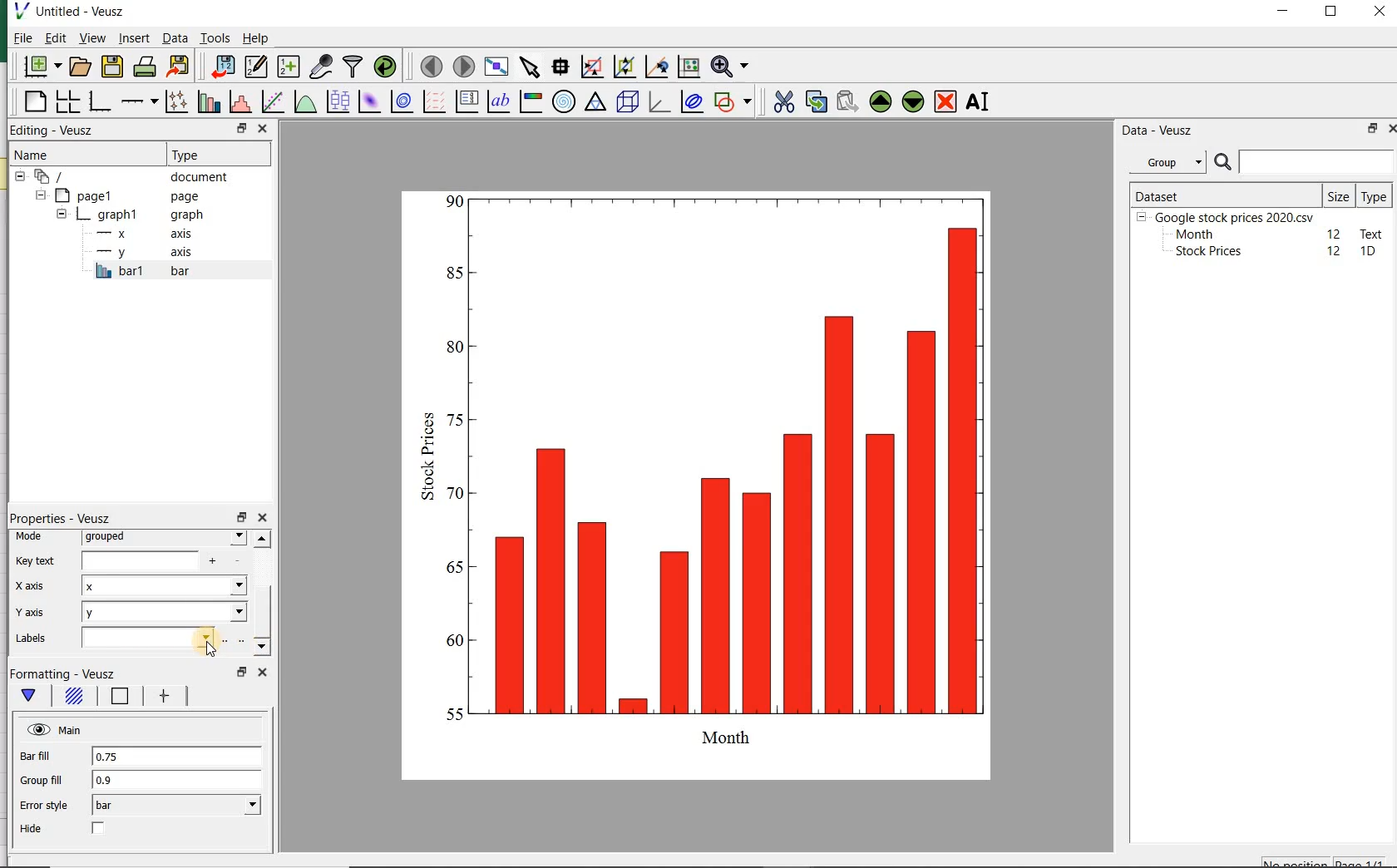 This screenshot has width=1397, height=868. What do you see at coordinates (368, 101) in the screenshot?
I see `plot a 2d dataset as an image` at bounding box center [368, 101].